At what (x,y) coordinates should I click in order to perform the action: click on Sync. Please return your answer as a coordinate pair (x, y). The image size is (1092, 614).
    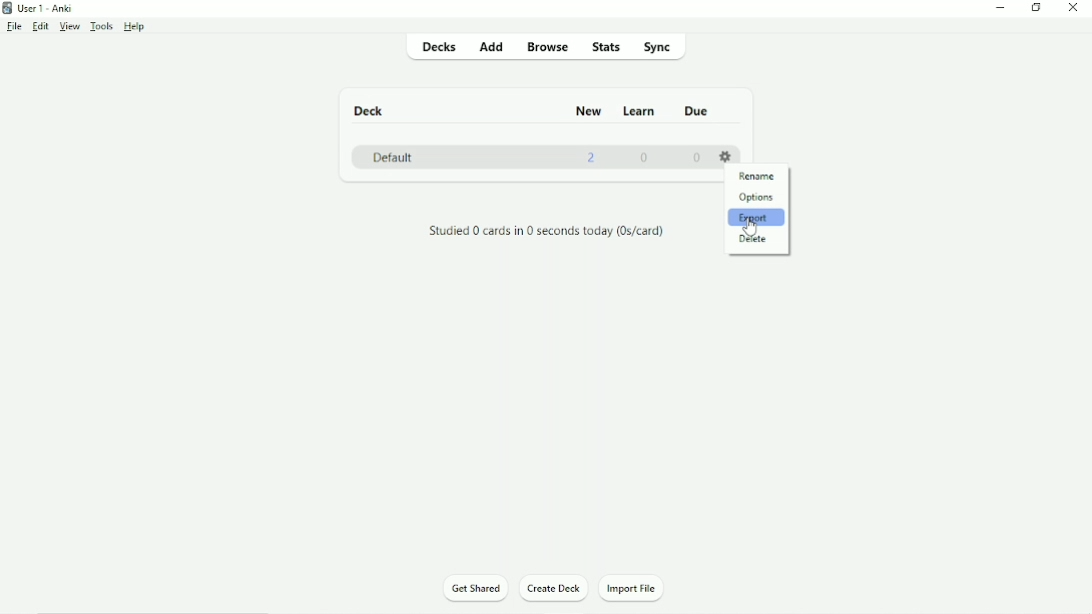
    Looking at the image, I should click on (657, 46).